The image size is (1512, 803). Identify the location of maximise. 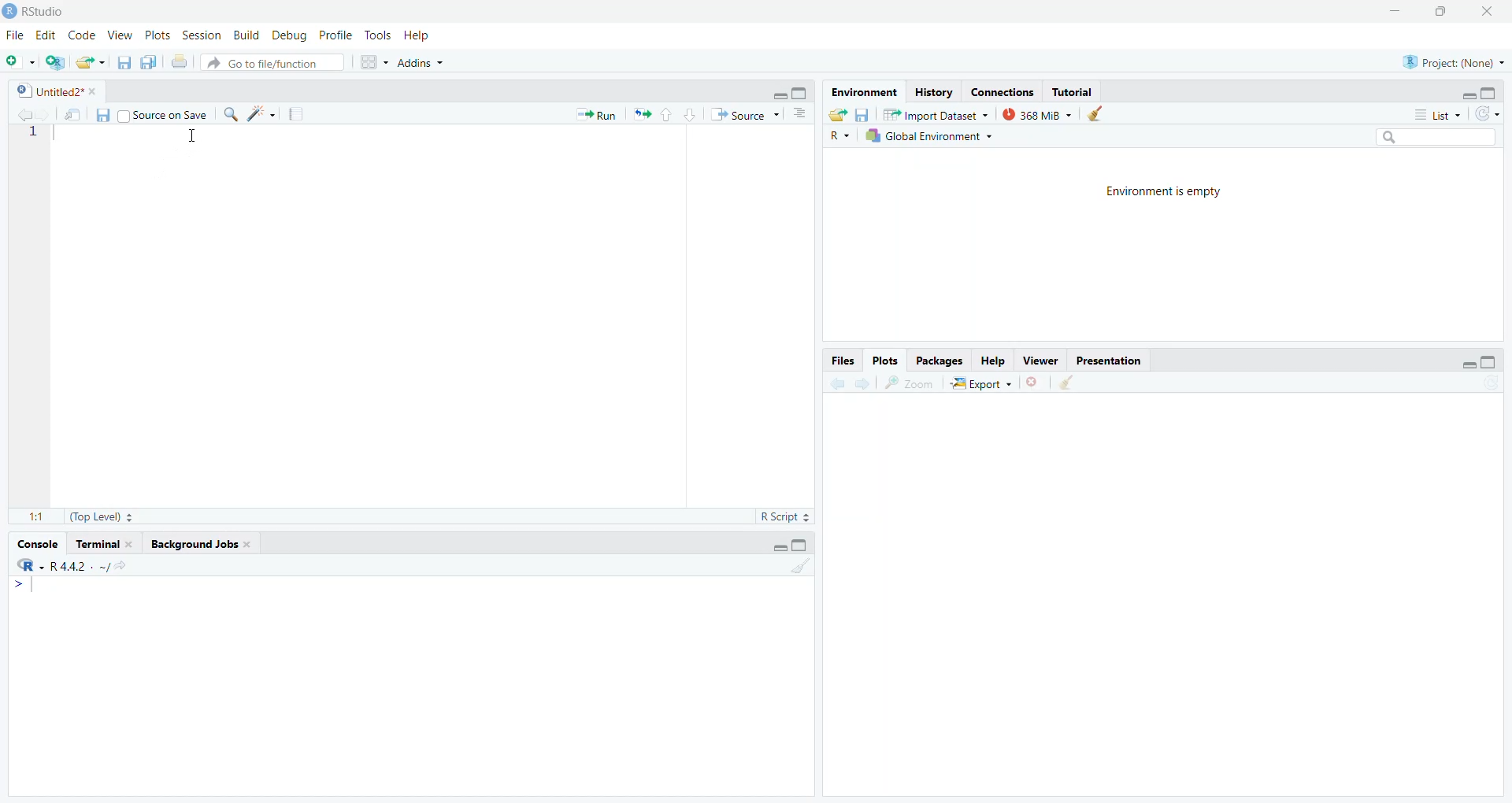
(1491, 92).